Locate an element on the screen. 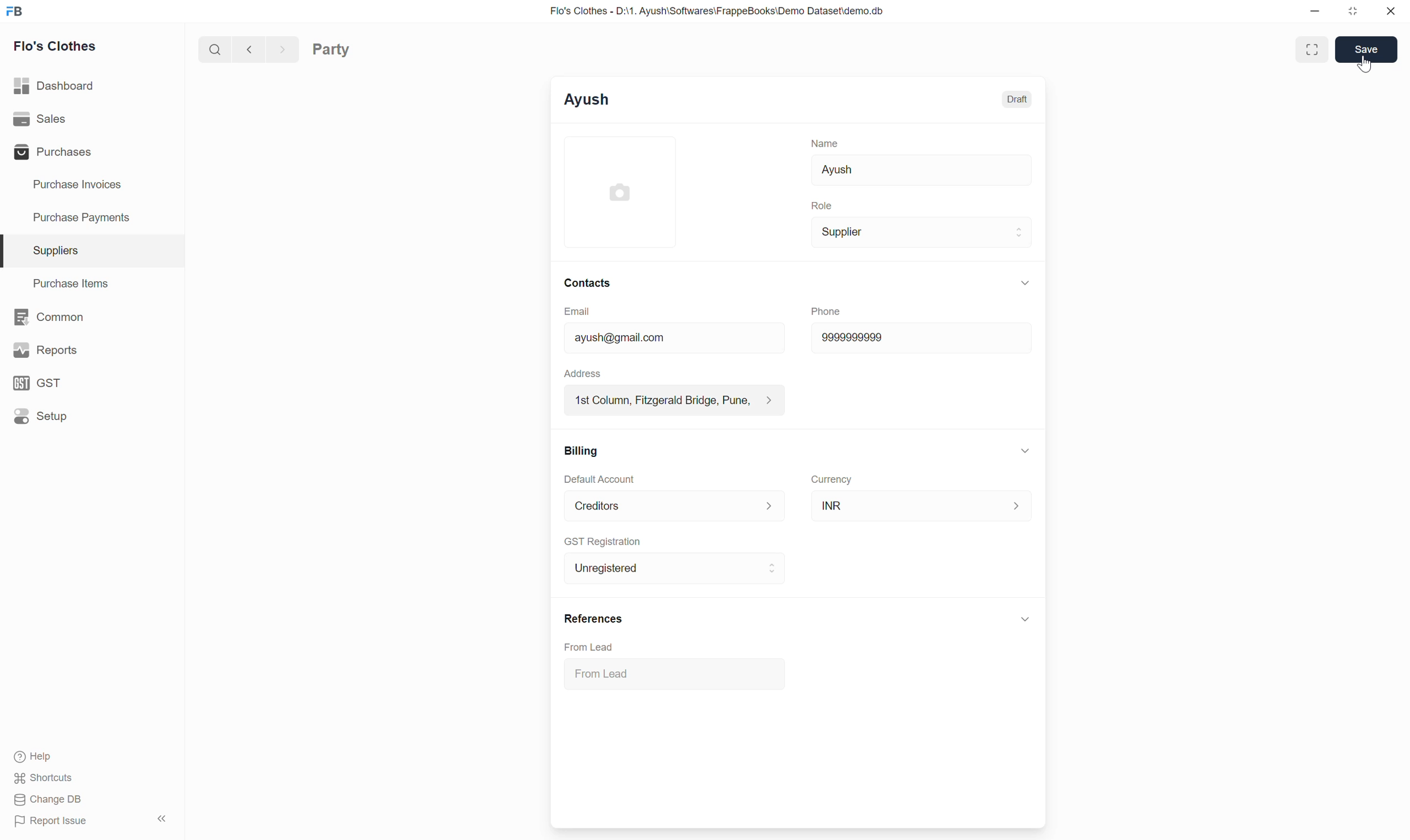  Save is located at coordinates (1366, 49).